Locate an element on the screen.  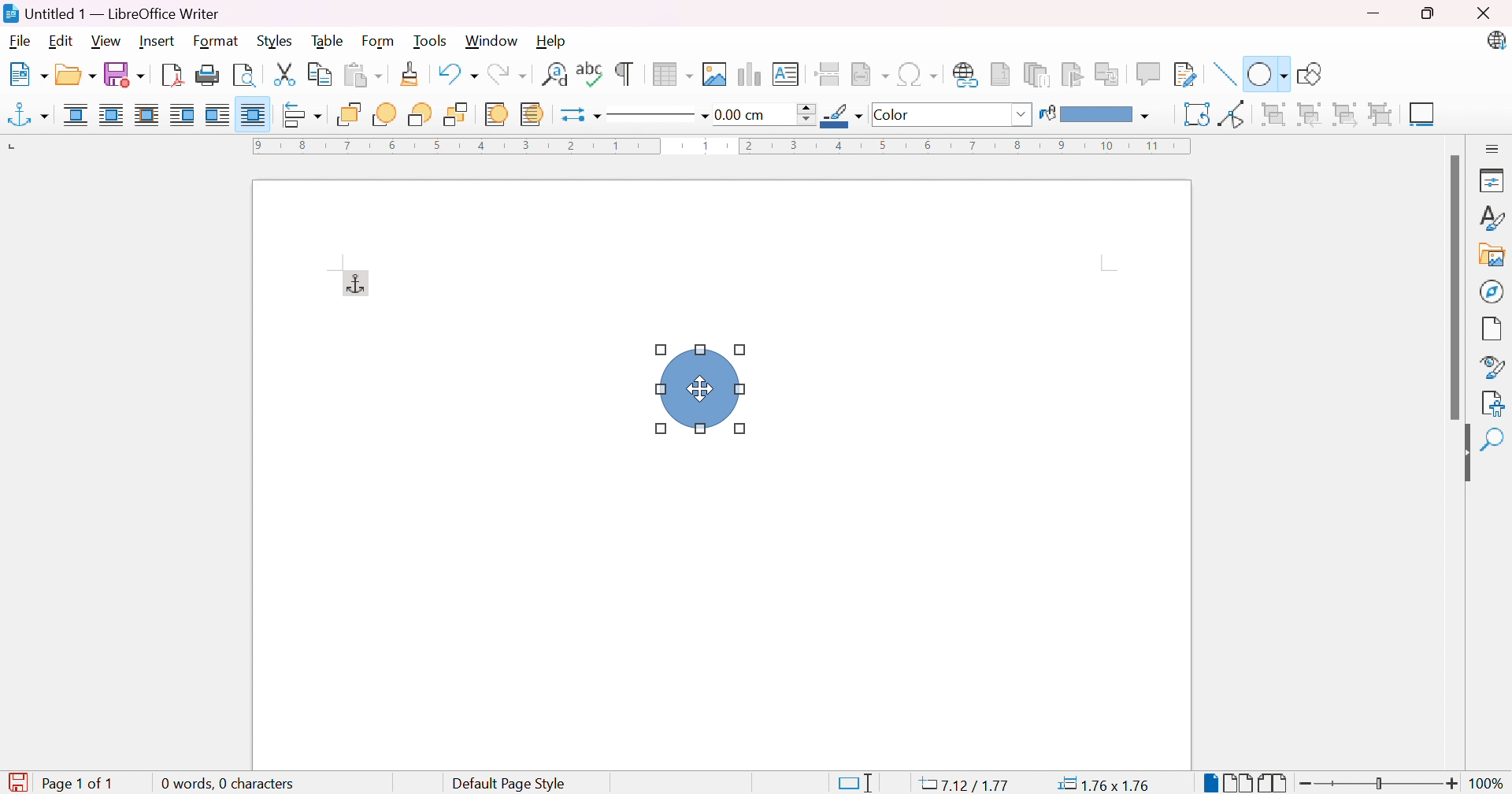
New is located at coordinates (28, 75).